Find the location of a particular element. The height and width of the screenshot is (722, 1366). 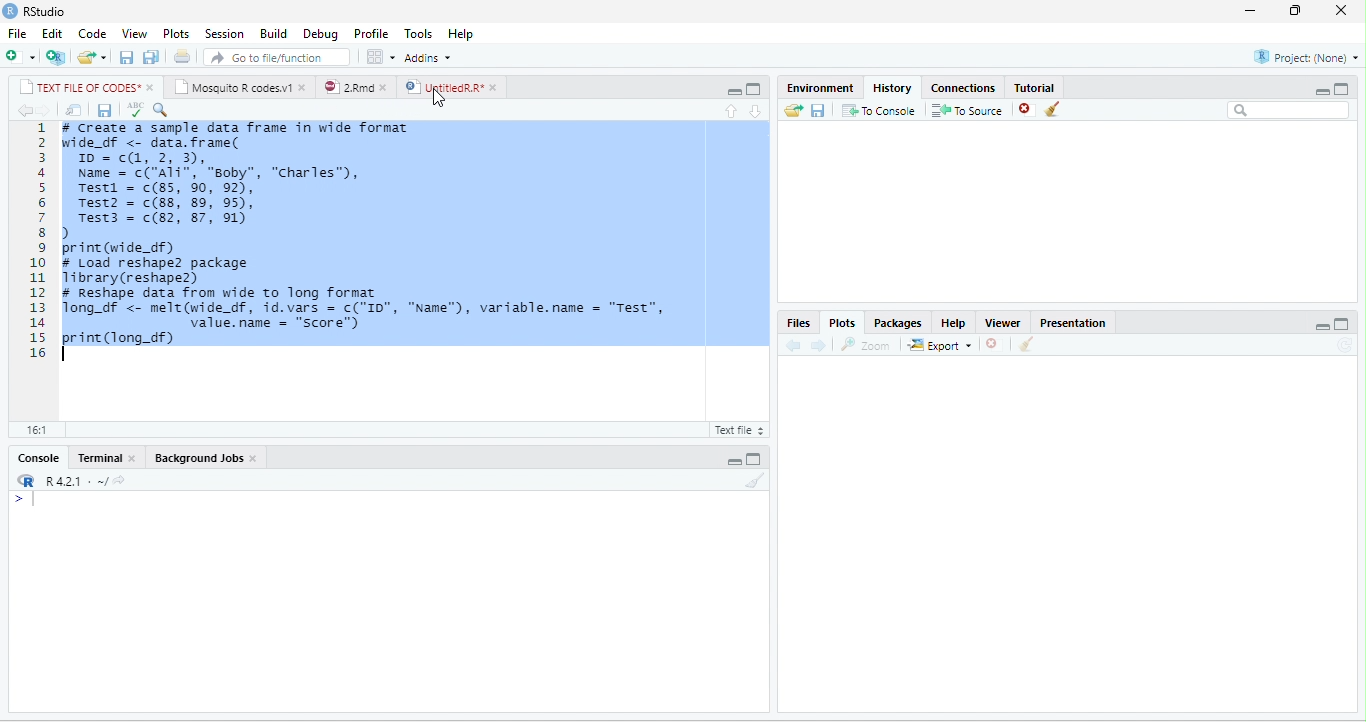

minimize is located at coordinates (1322, 326).